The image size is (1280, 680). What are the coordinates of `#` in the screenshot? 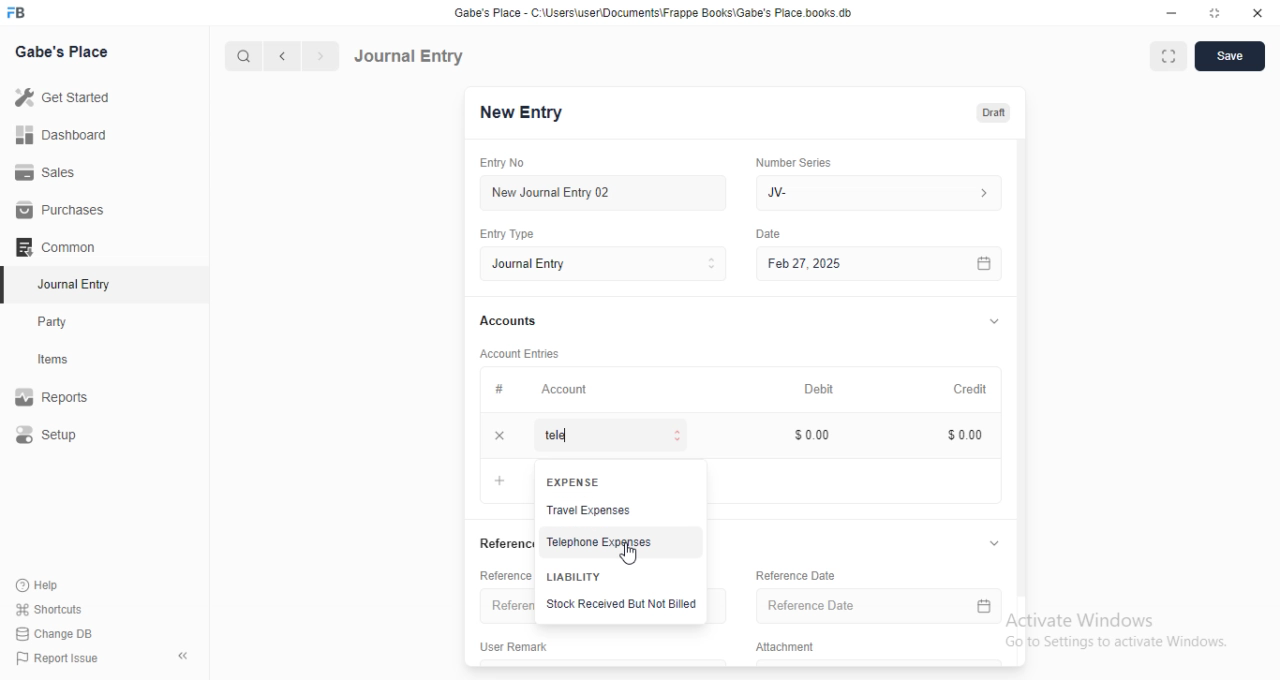 It's located at (499, 388).